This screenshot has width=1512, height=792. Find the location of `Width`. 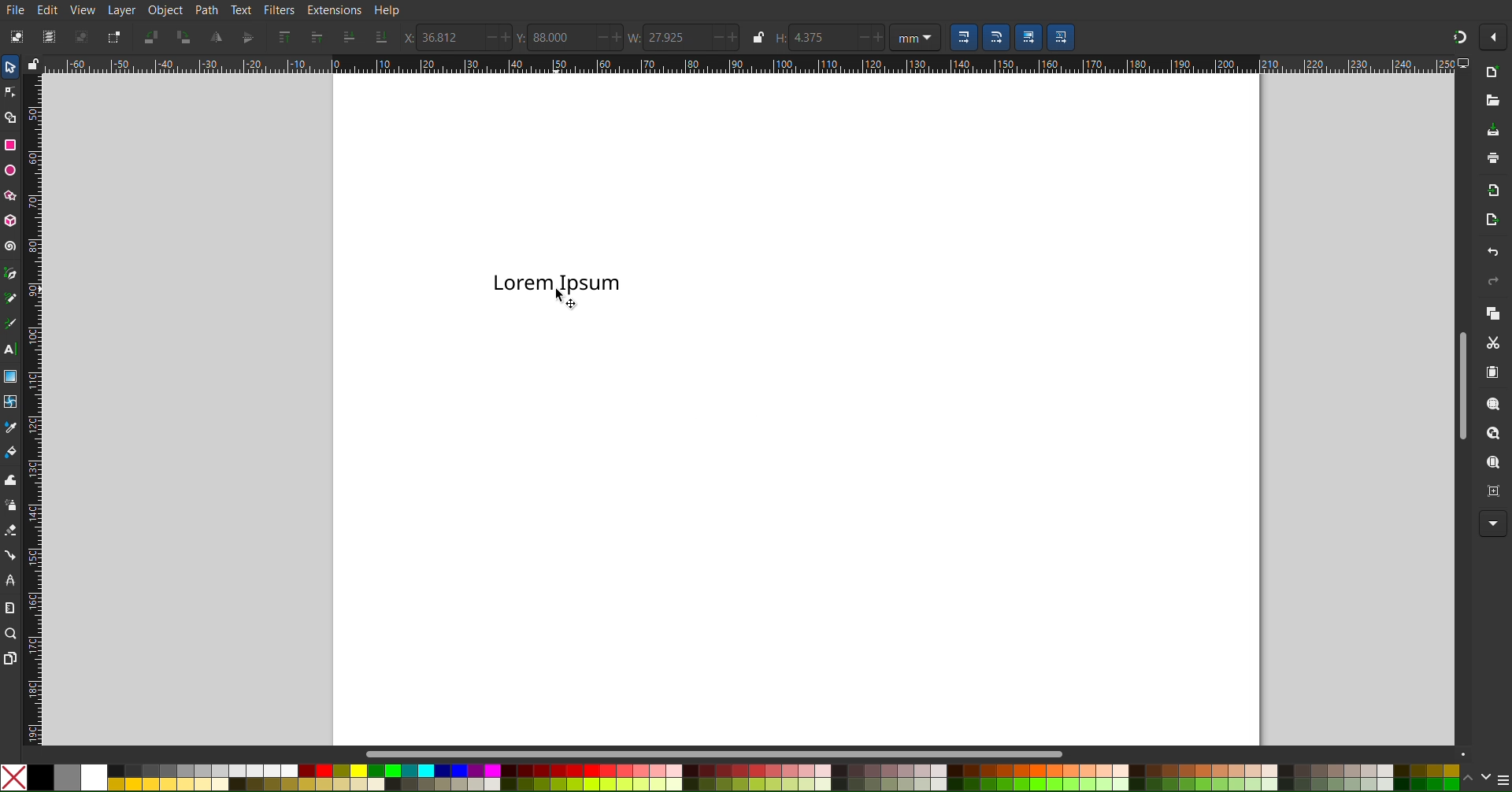

Width is located at coordinates (635, 38).